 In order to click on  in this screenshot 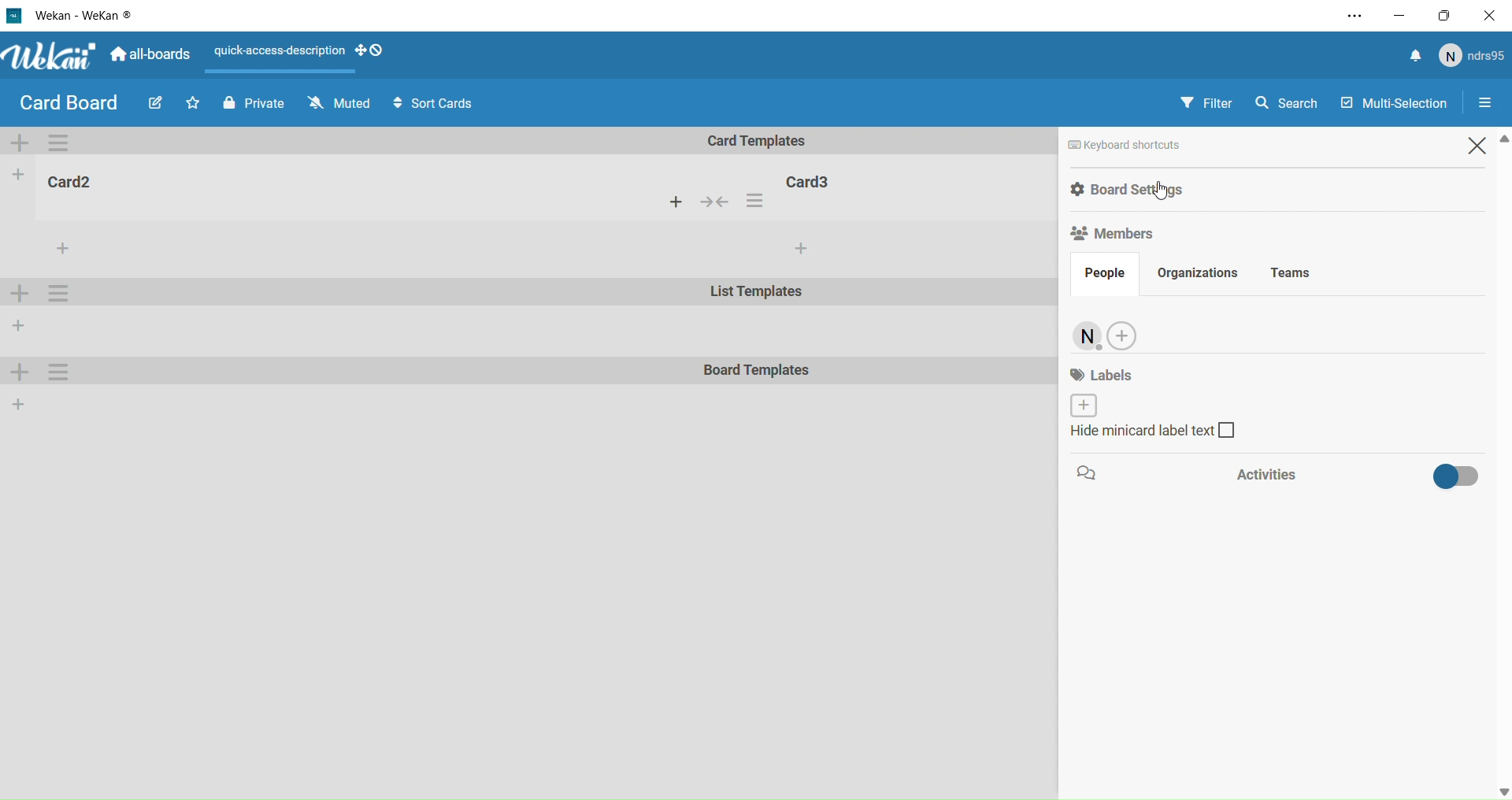, I will do `click(20, 141)`.